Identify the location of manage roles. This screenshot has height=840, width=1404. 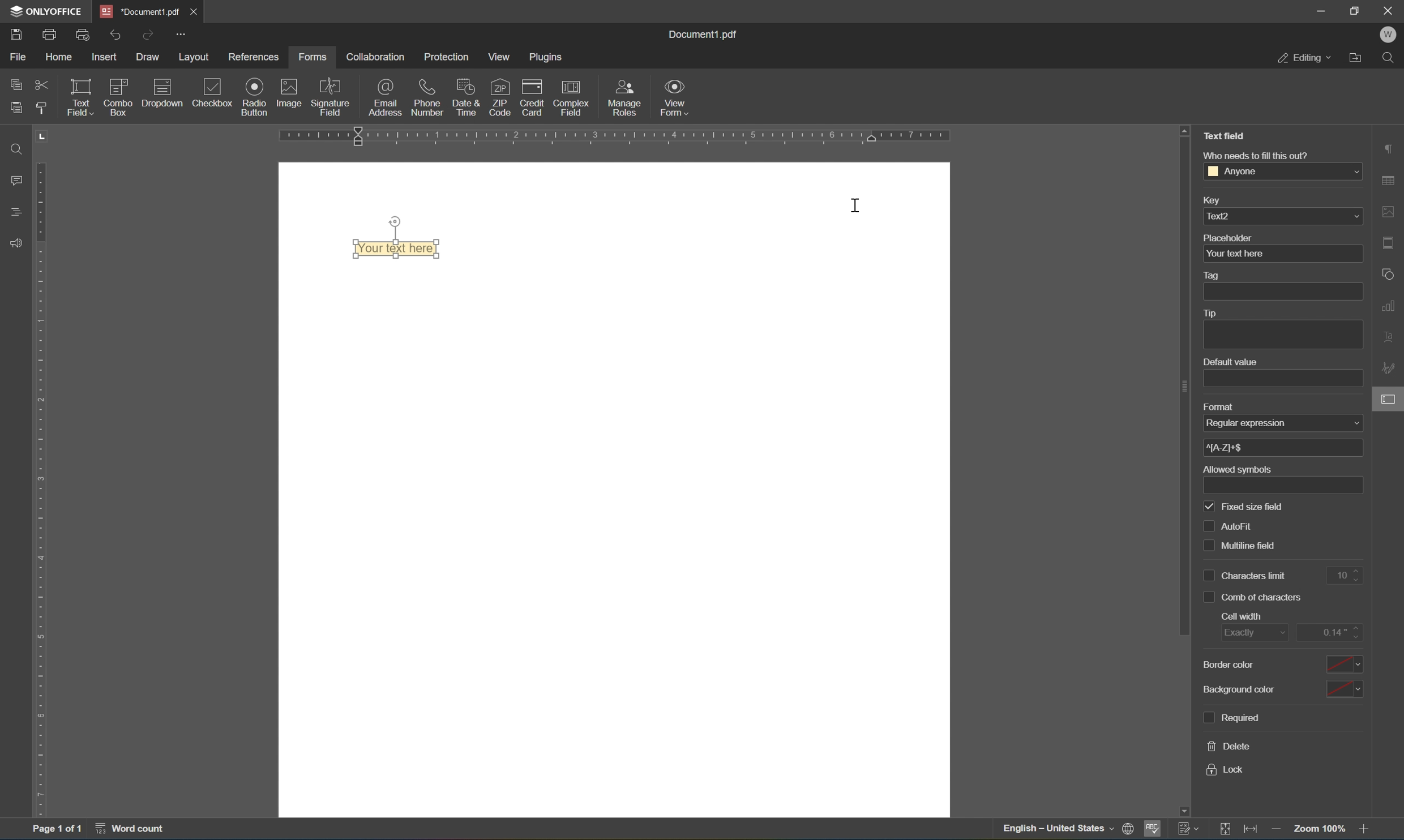
(625, 97).